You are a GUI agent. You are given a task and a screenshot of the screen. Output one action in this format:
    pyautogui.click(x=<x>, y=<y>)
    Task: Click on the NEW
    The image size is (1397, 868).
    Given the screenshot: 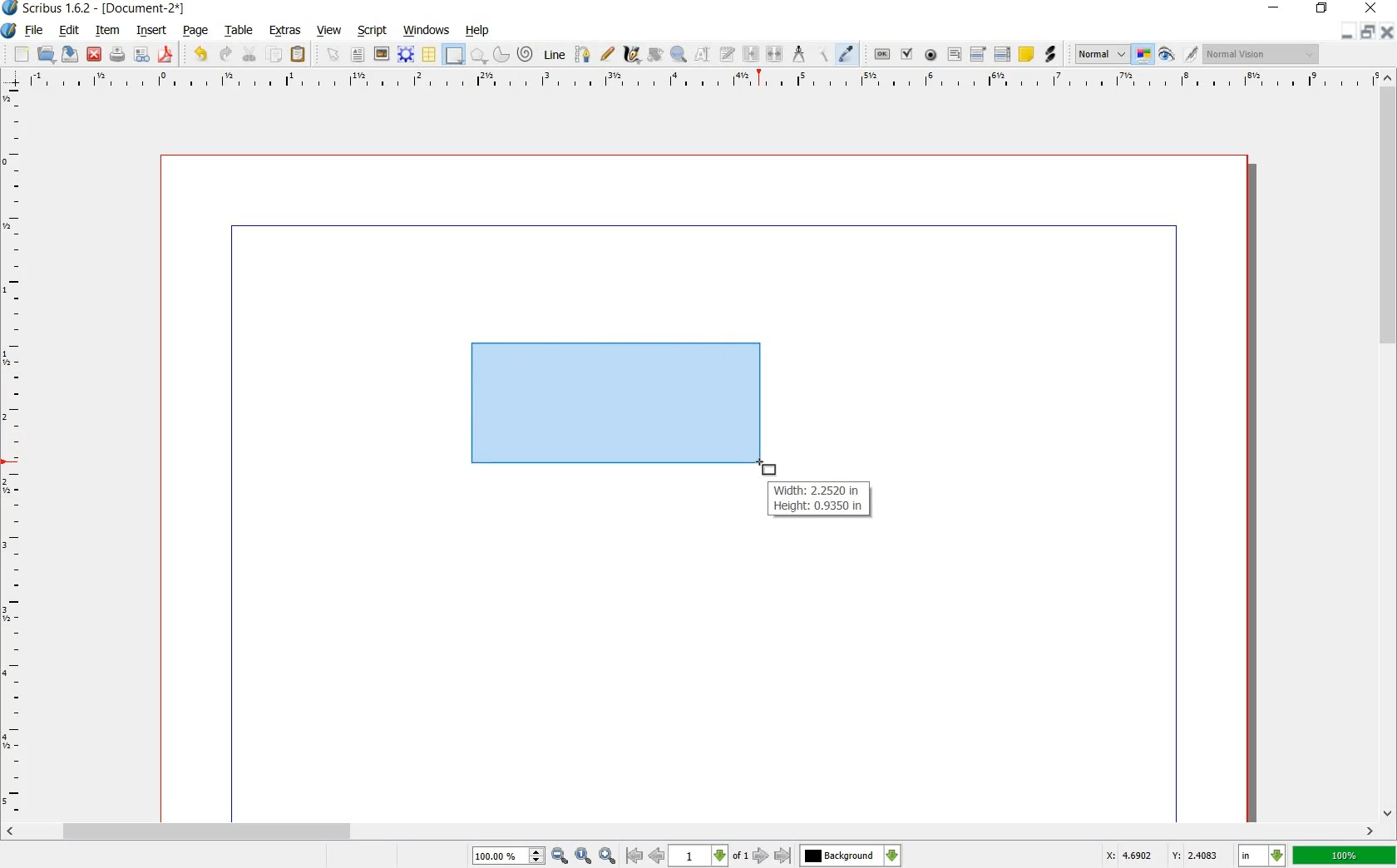 What is the action you would take?
    pyautogui.click(x=21, y=55)
    